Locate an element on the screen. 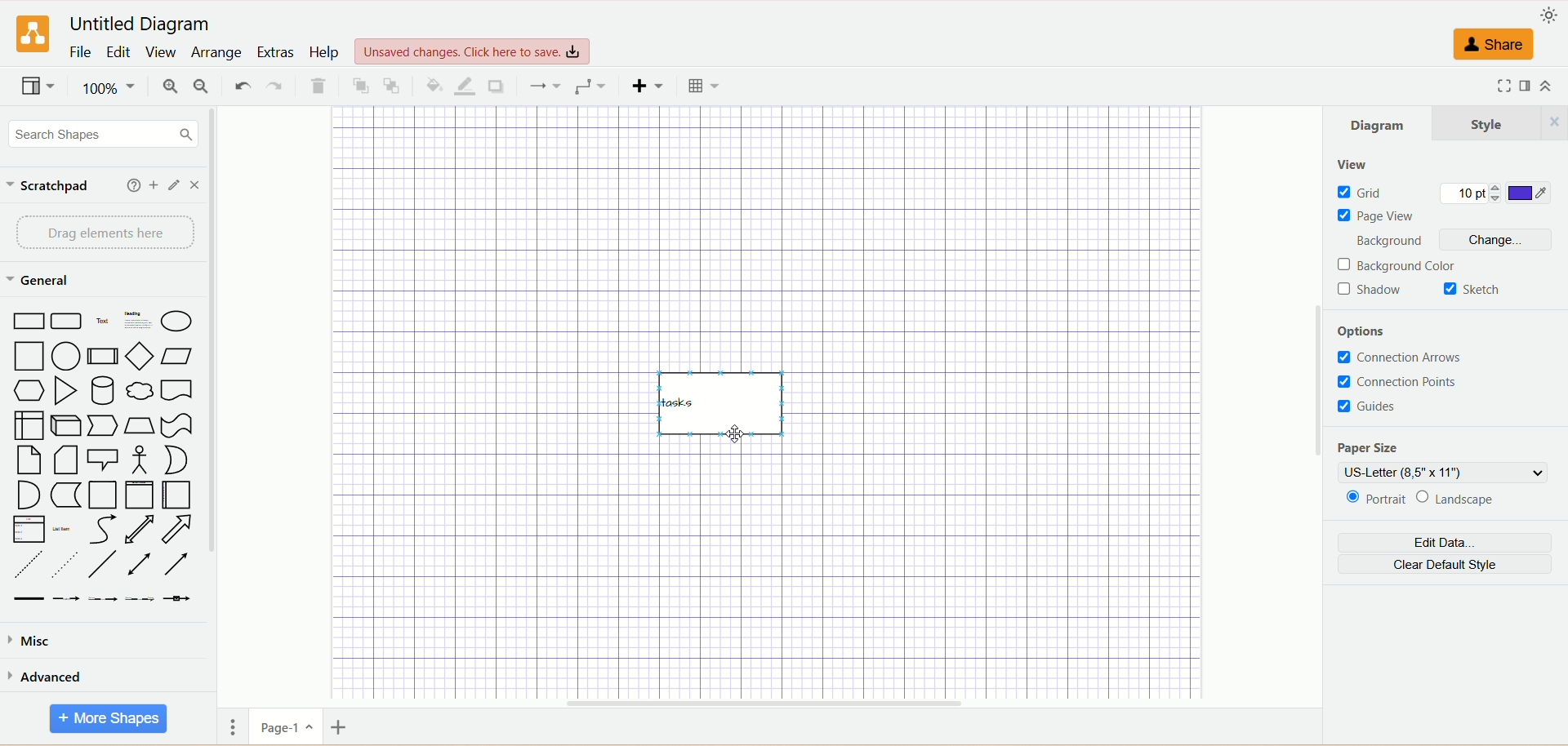 The image size is (1568, 746). Line with Arrow is located at coordinates (178, 565).